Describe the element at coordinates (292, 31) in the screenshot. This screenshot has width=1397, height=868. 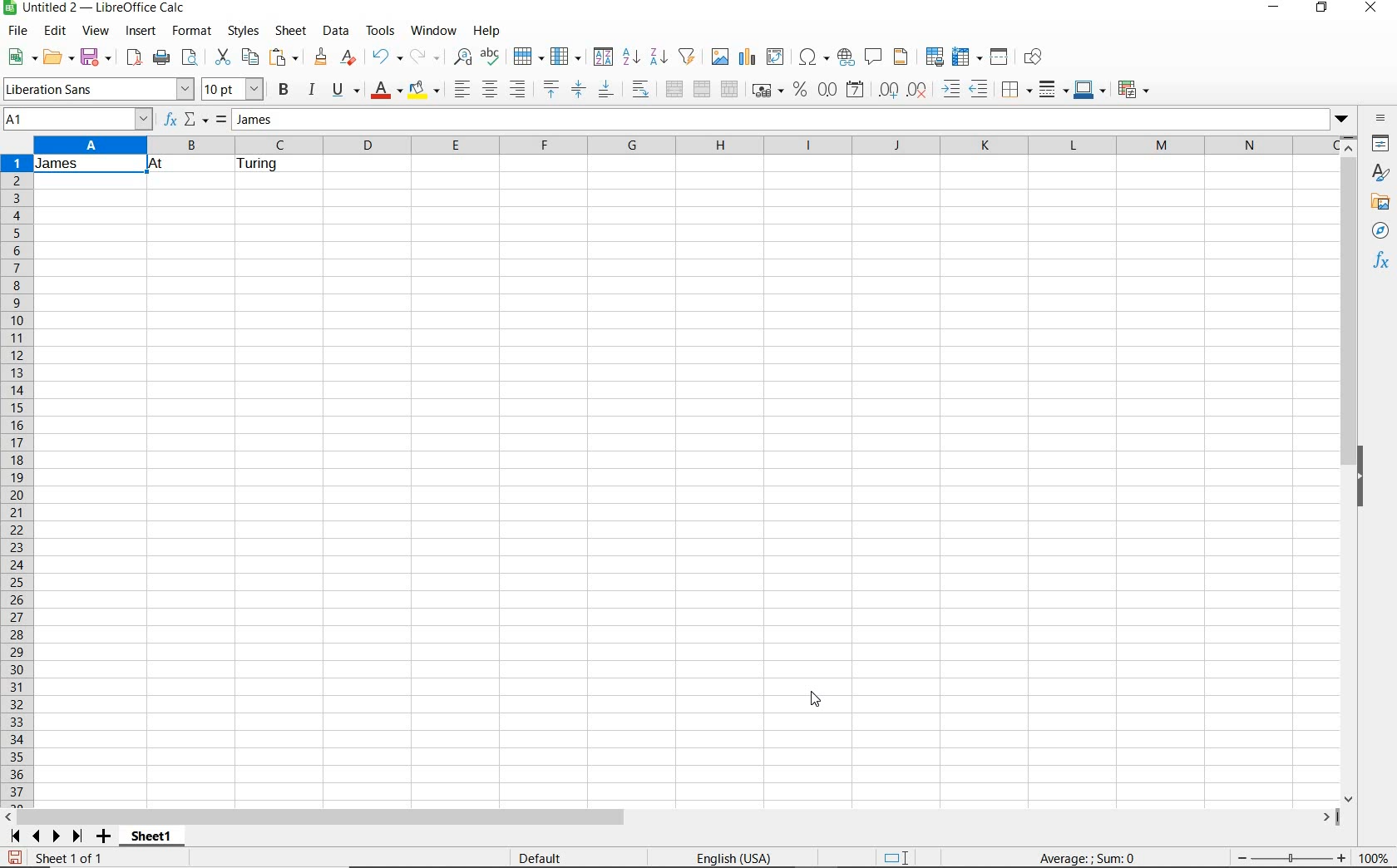
I see `sheet` at that location.